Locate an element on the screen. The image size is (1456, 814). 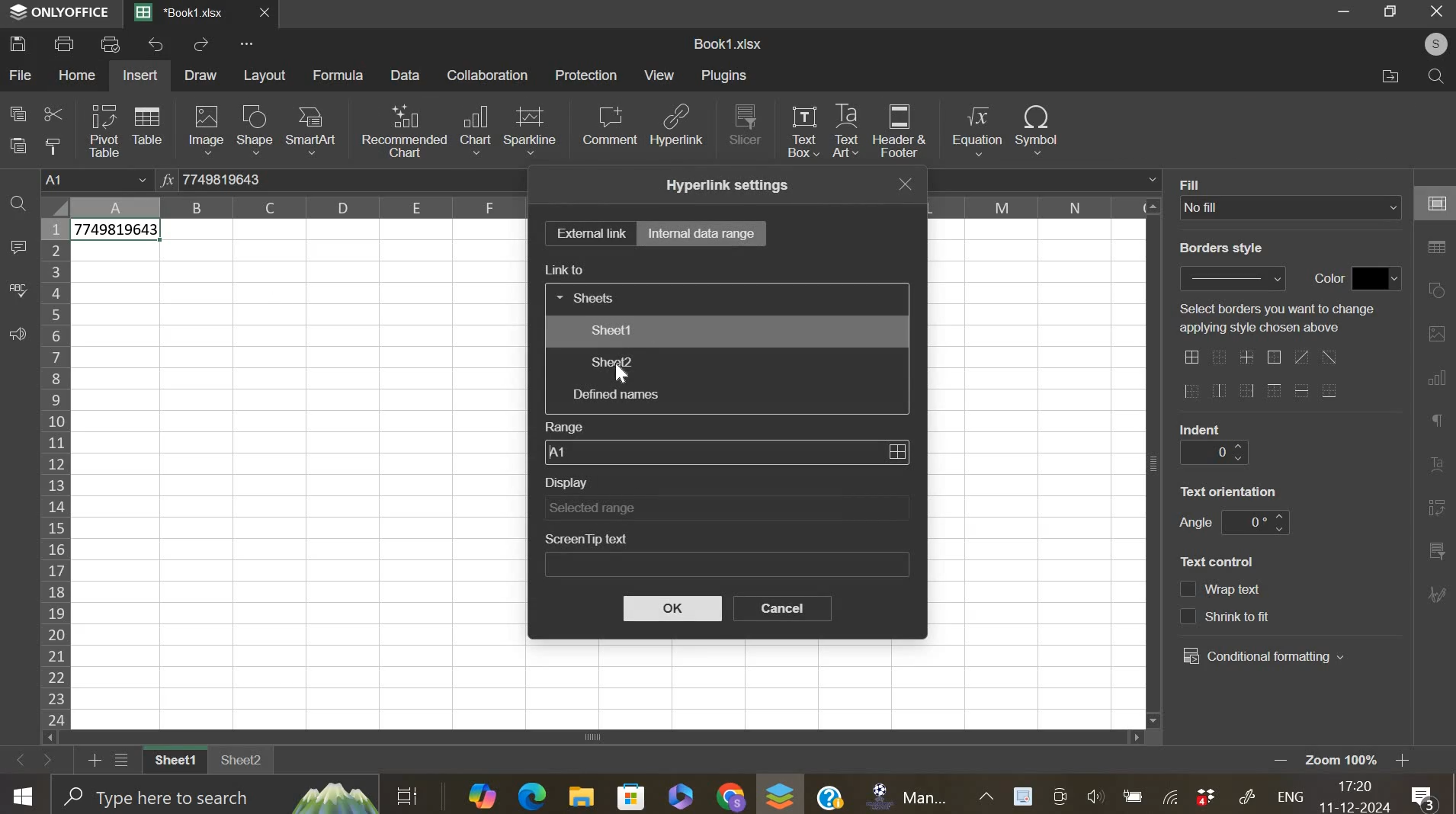
color is located at coordinates (1377, 278).